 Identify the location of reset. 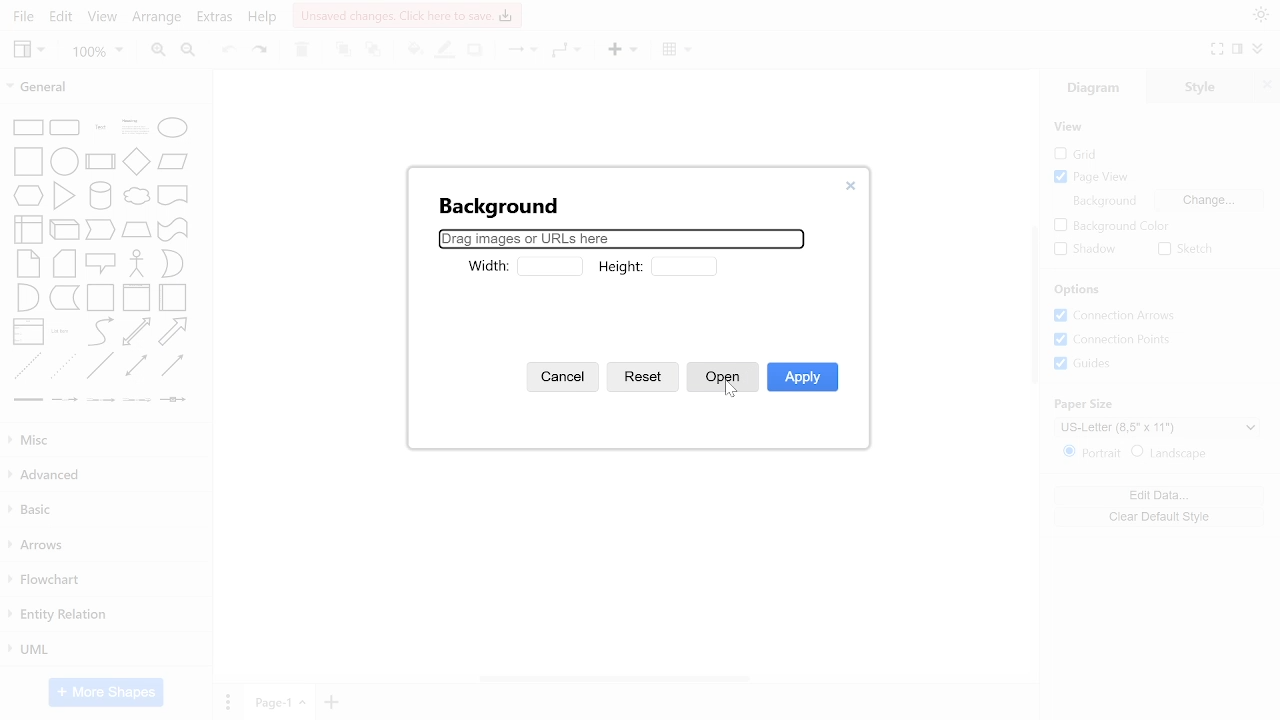
(644, 380).